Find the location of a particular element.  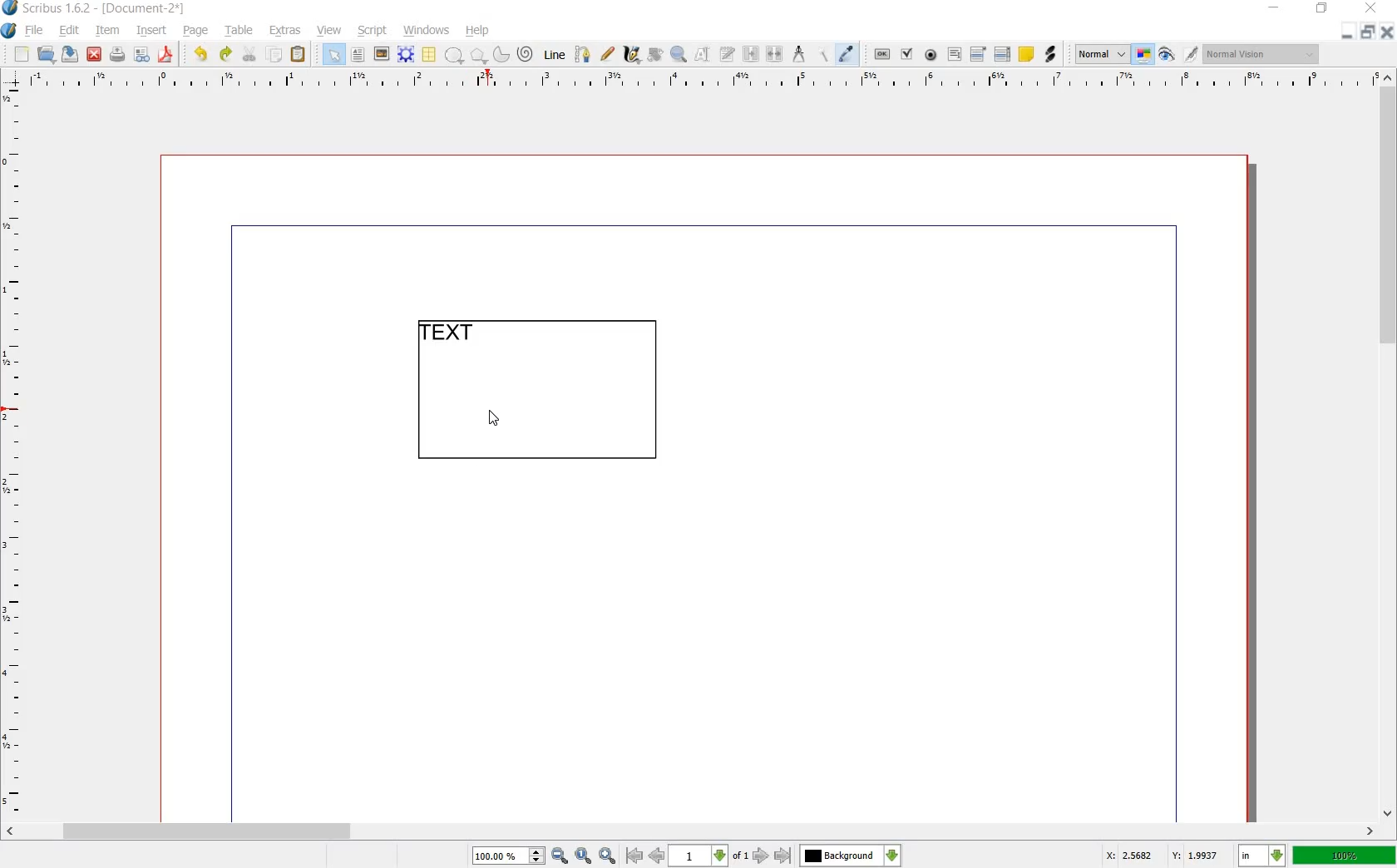

unlink text frame is located at coordinates (776, 55).